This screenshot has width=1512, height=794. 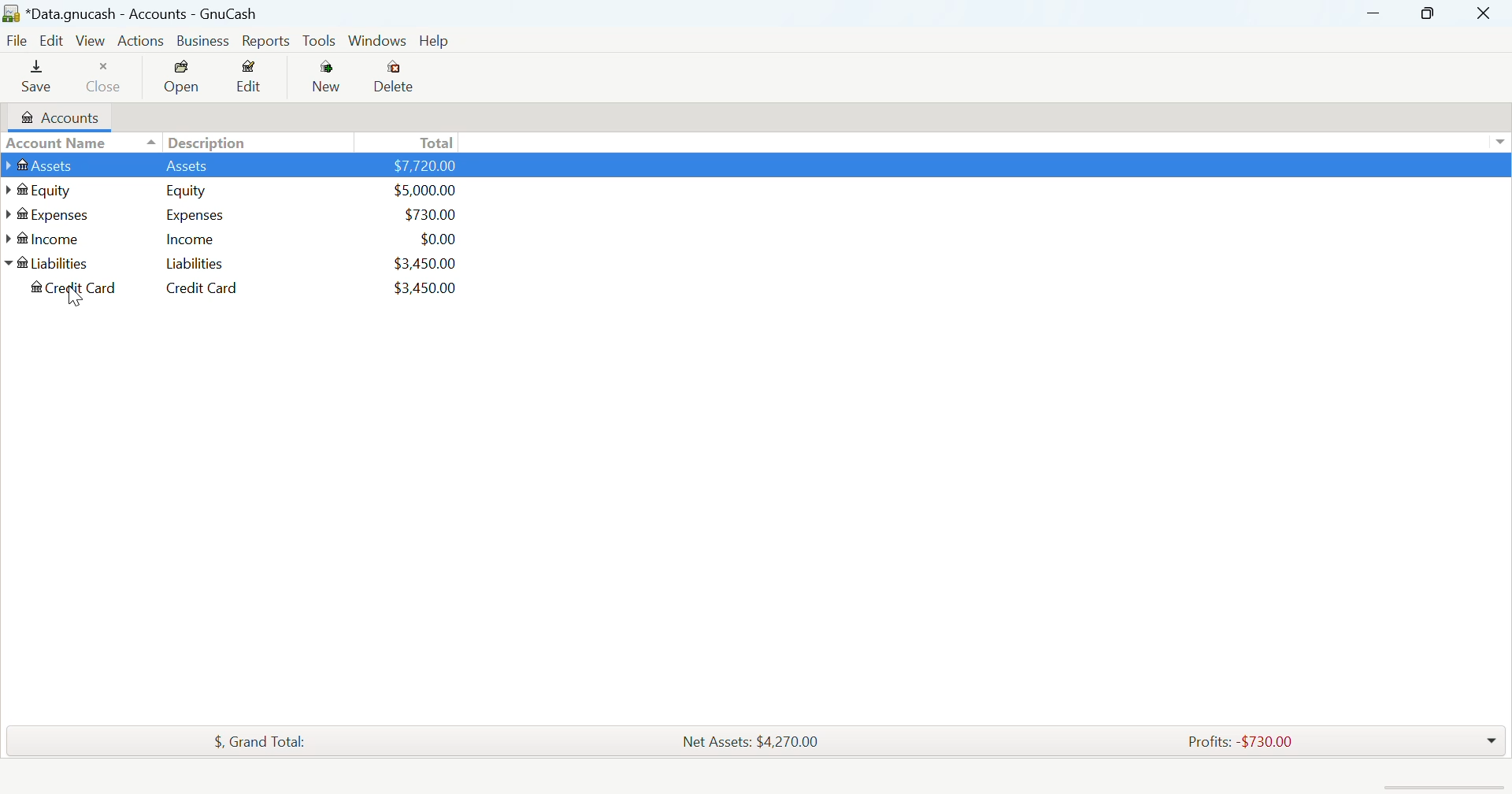 What do you see at coordinates (321, 40) in the screenshot?
I see `Tools` at bounding box center [321, 40].